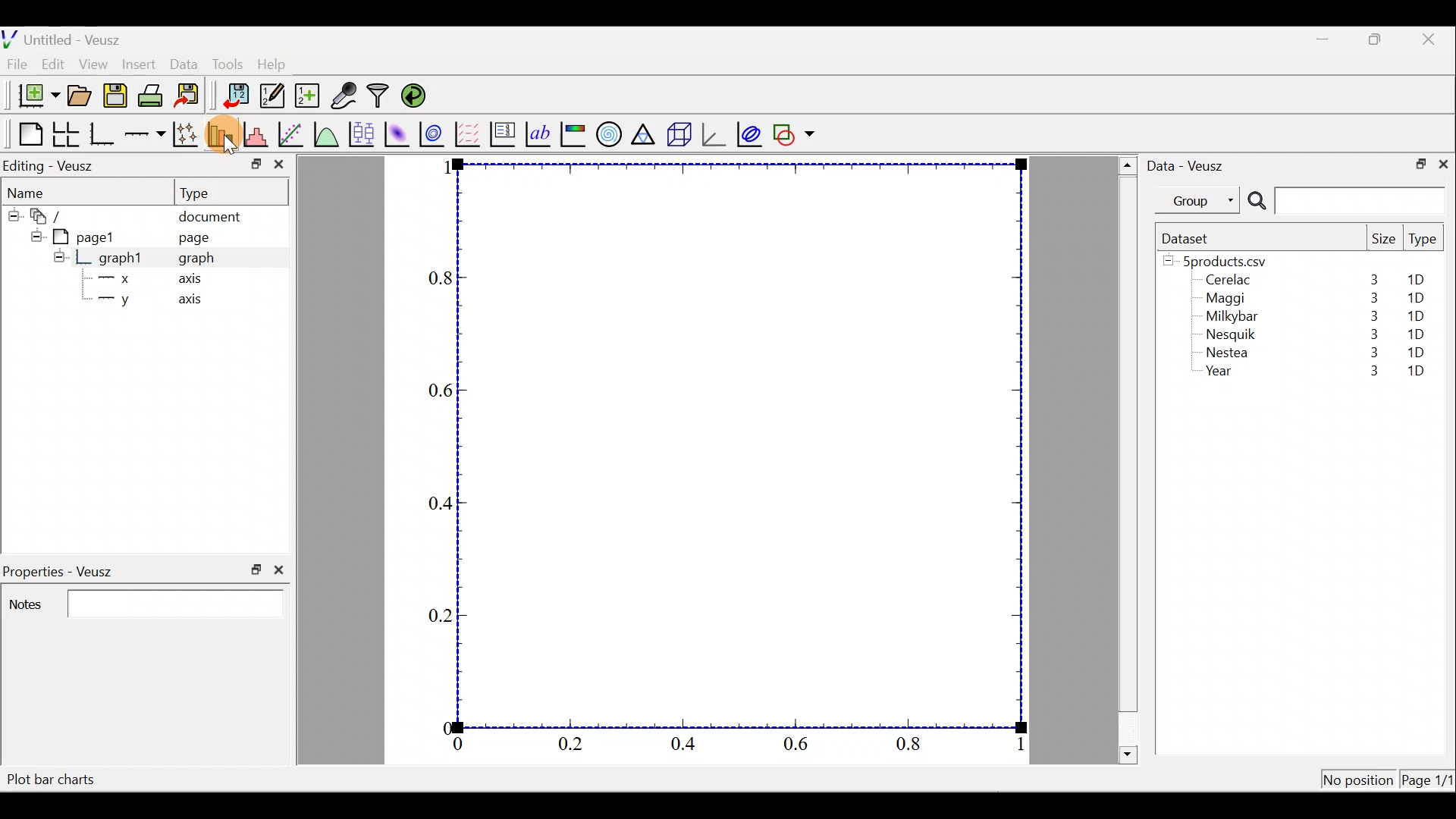 This screenshot has width=1456, height=819. What do you see at coordinates (67, 37) in the screenshot?
I see `Untitled - Veusz` at bounding box center [67, 37].